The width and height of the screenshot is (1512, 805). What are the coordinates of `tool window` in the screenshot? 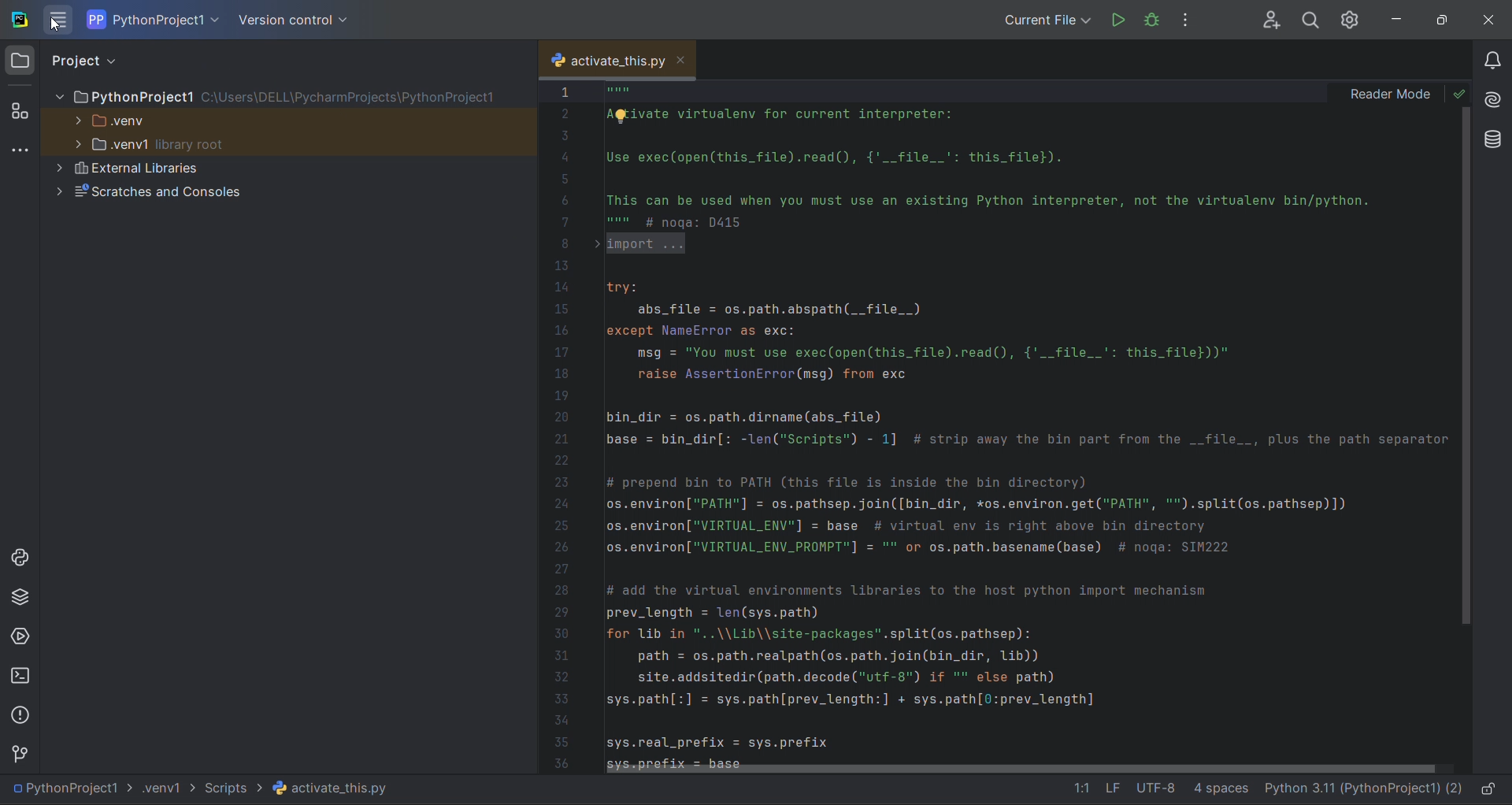 It's located at (20, 150).